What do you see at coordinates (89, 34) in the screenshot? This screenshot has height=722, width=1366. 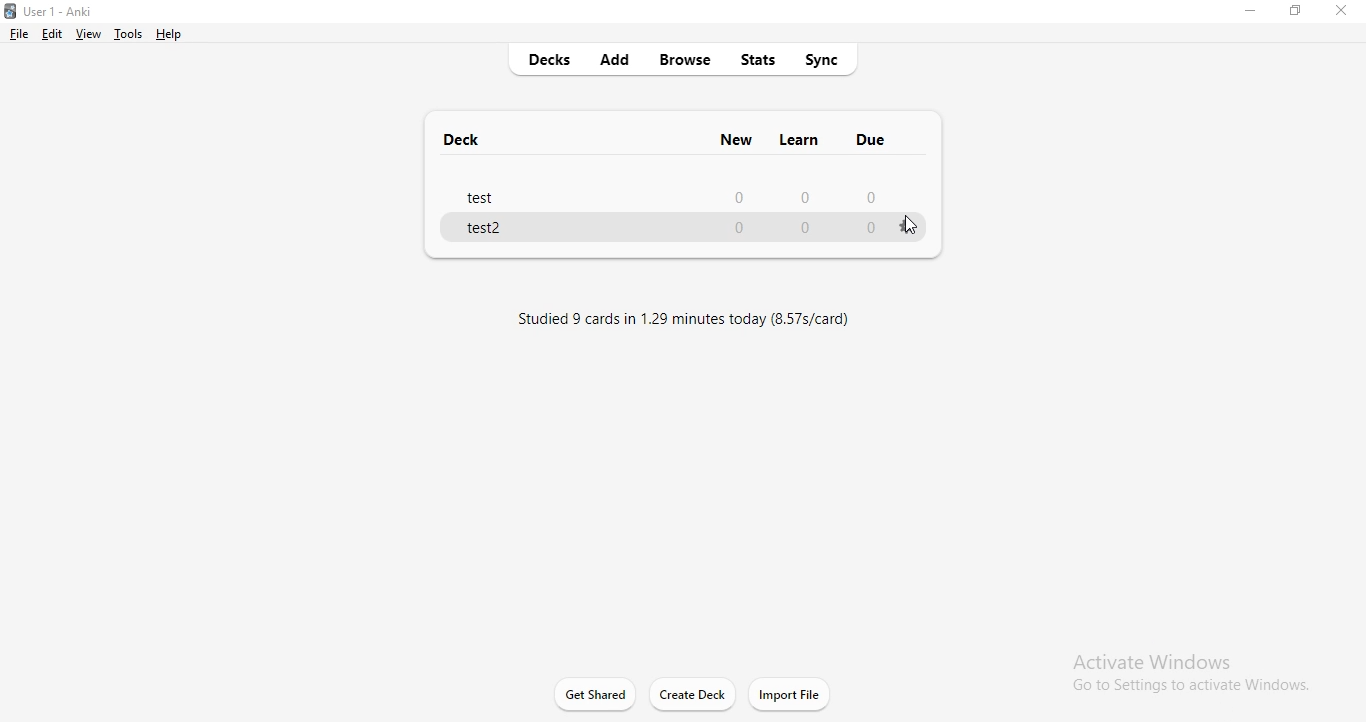 I see `view` at bounding box center [89, 34].